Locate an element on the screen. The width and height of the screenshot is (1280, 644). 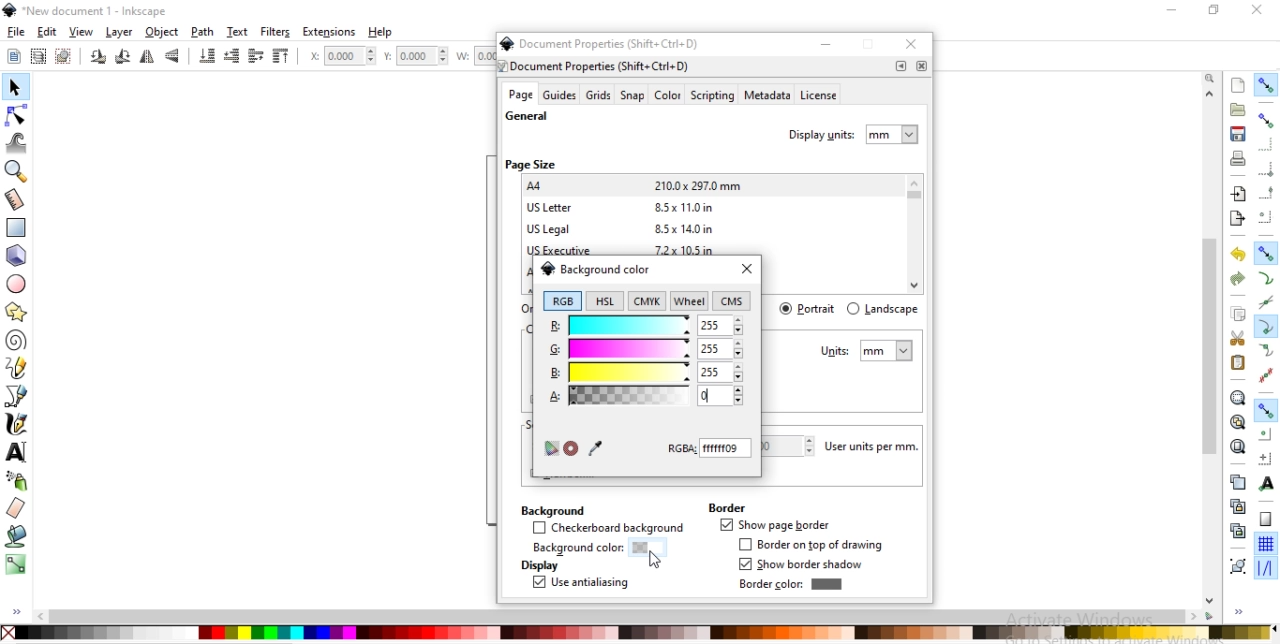
lower selection one step is located at coordinates (231, 57).